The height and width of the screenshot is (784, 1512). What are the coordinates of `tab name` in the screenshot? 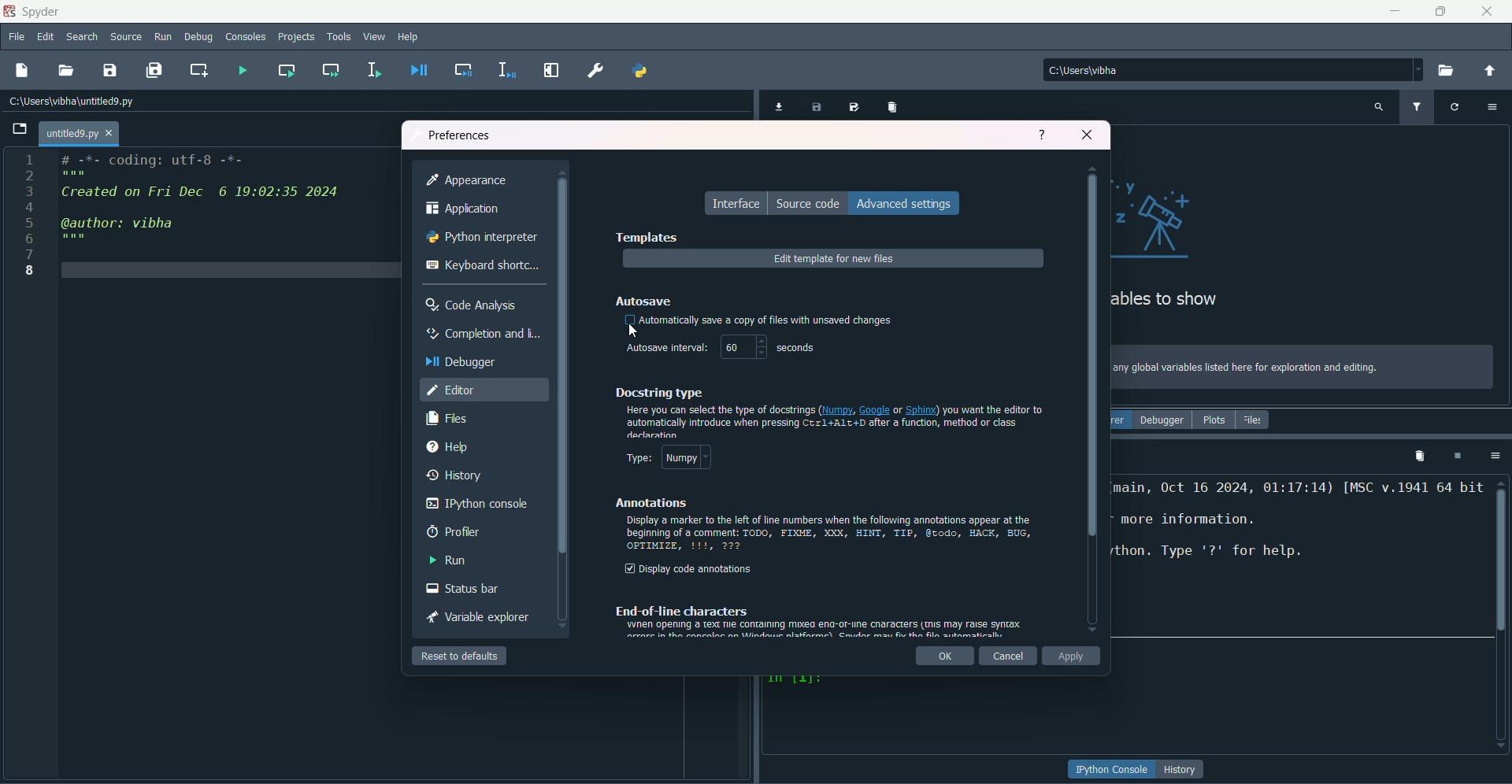 It's located at (79, 133).